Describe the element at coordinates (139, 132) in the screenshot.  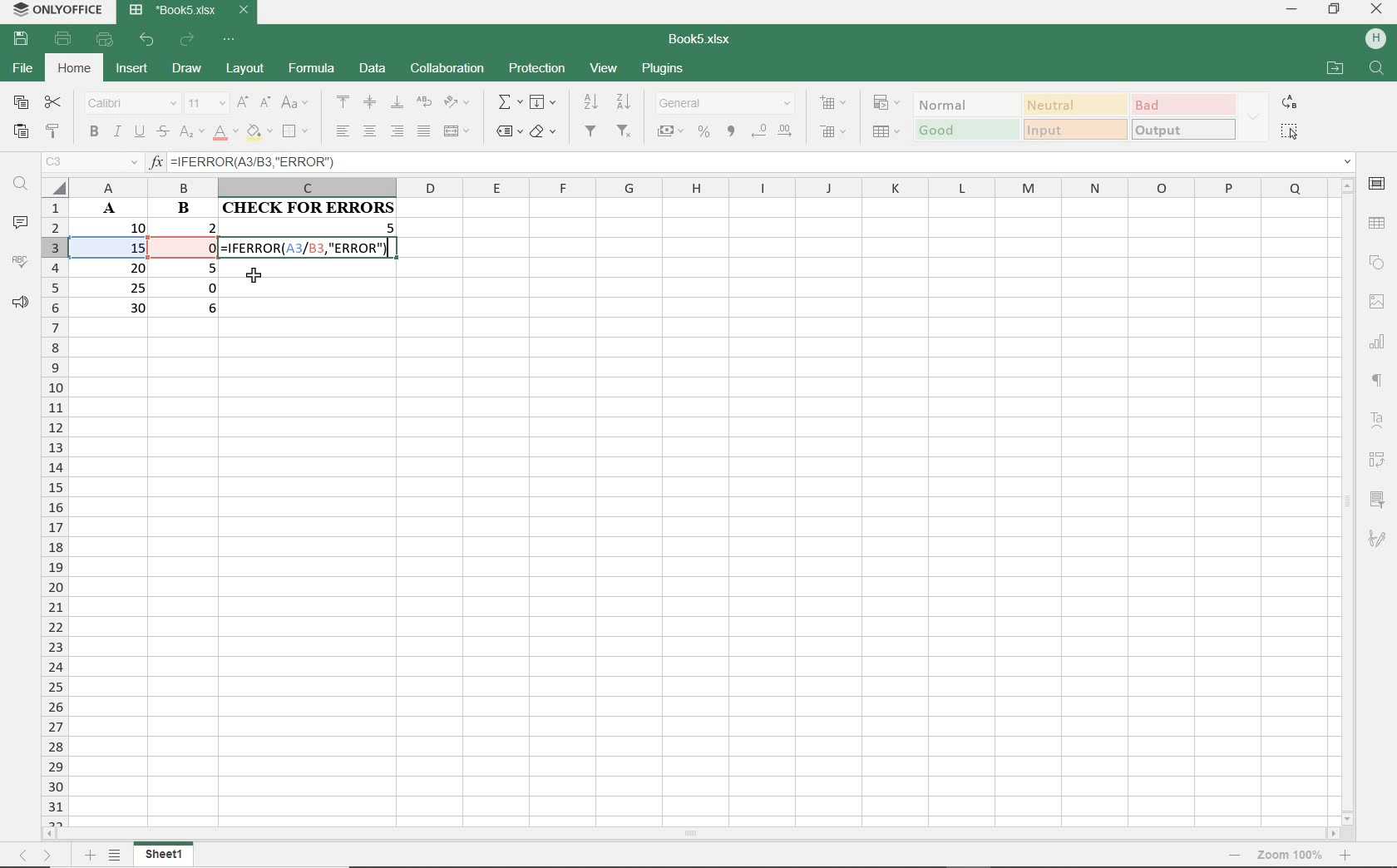
I see `UNDERLINE` at that location.